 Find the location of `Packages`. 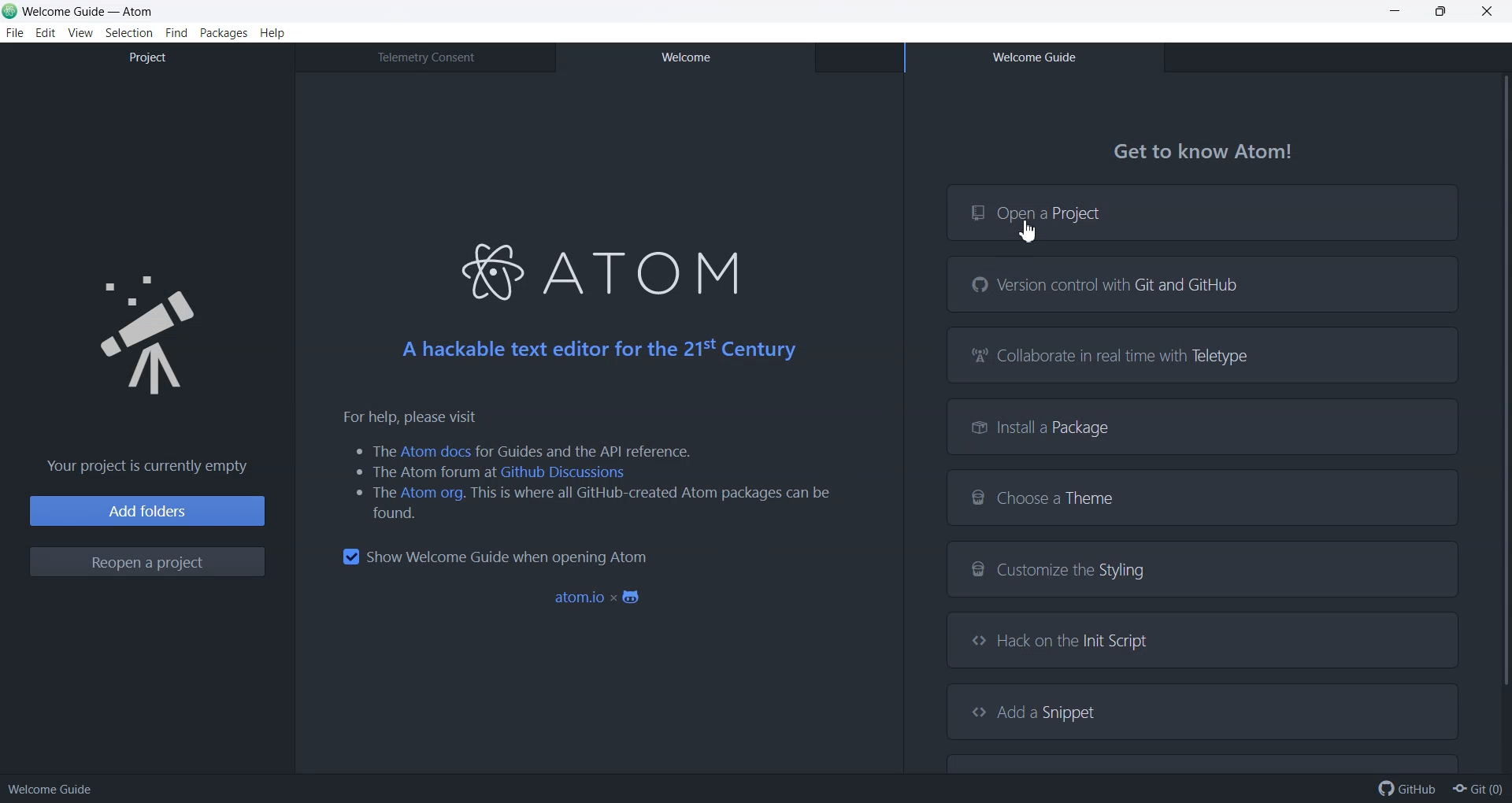

Packages is located at coordinates (224, 32).